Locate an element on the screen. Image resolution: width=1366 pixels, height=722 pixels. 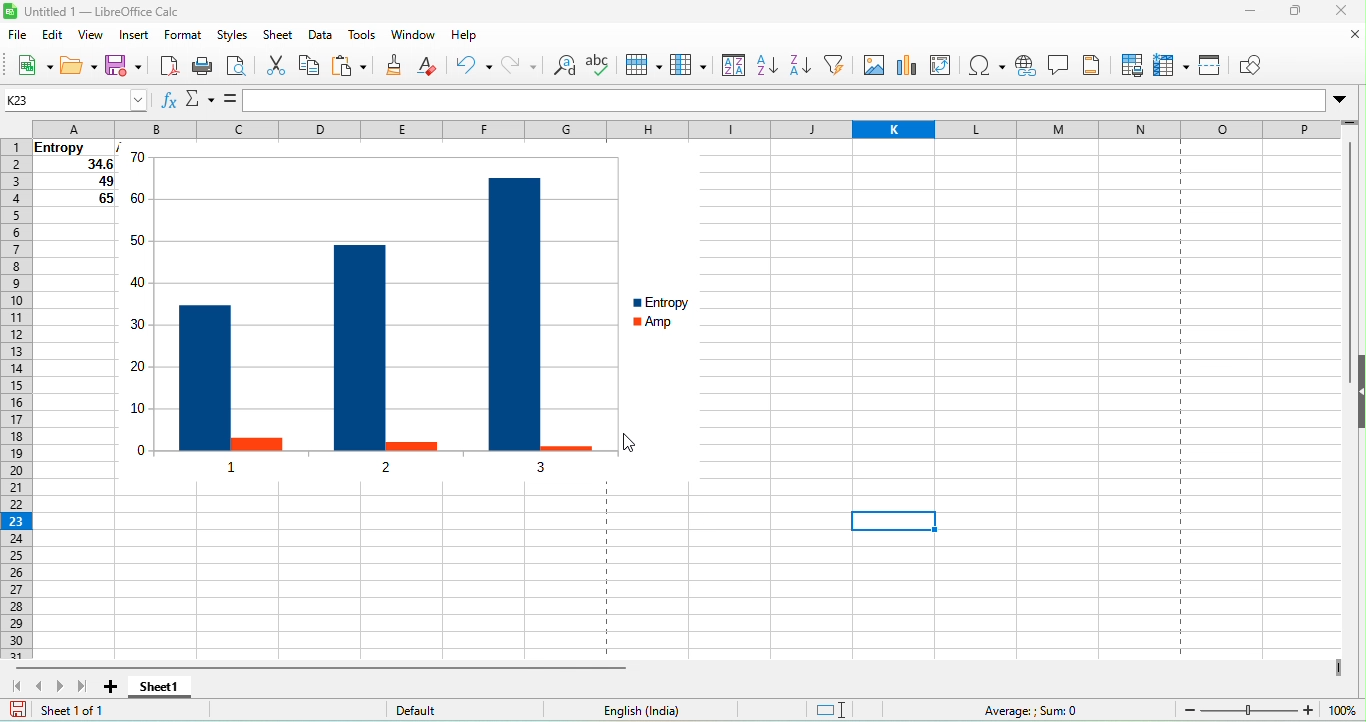
standard selection is located at coordinates (849, 709).